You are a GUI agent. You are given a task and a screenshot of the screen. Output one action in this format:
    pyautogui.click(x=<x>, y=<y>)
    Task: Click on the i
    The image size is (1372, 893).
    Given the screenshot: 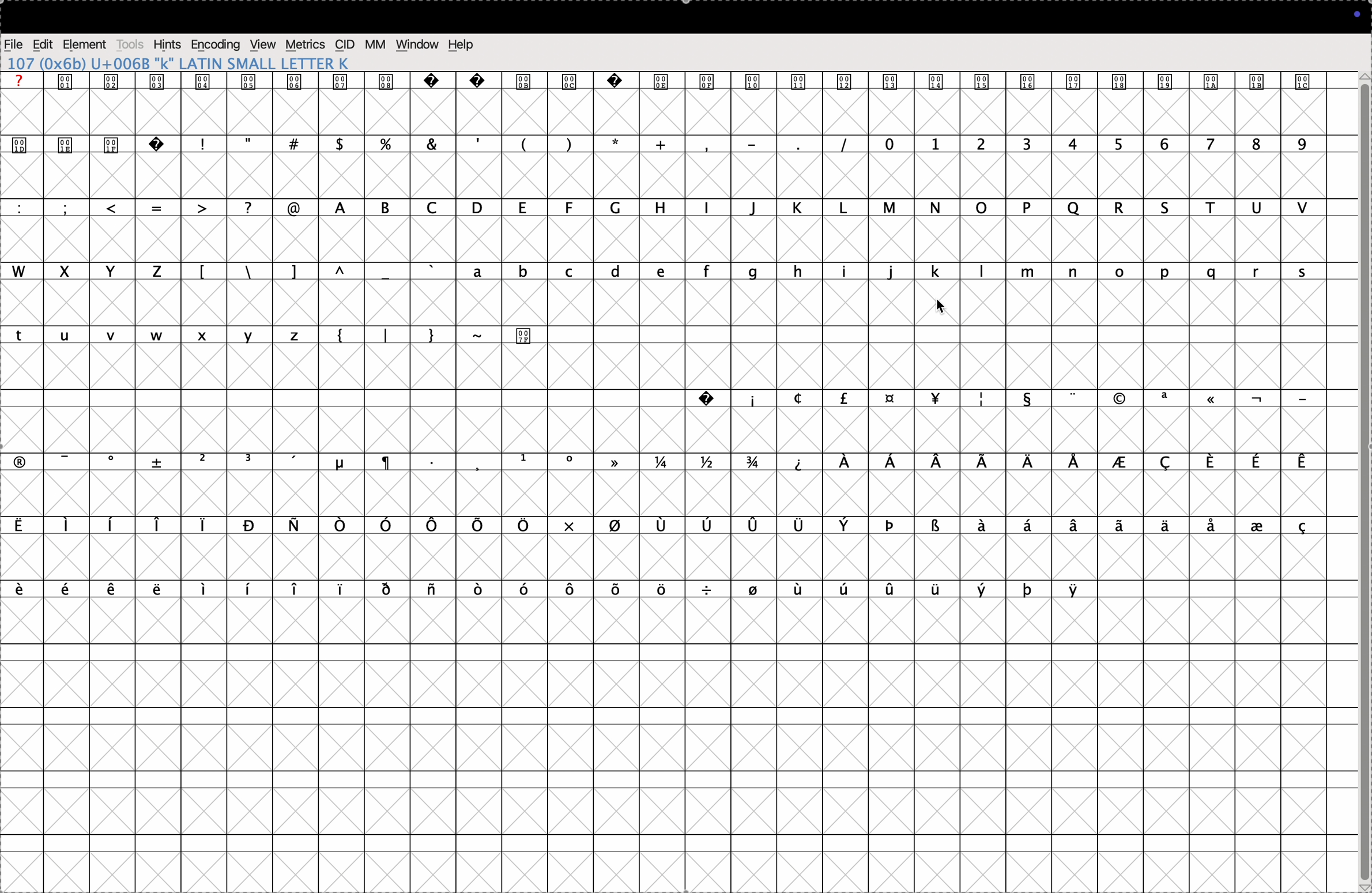 What is the action you would take?
    pyautogui.click(x=840, y=271)
    